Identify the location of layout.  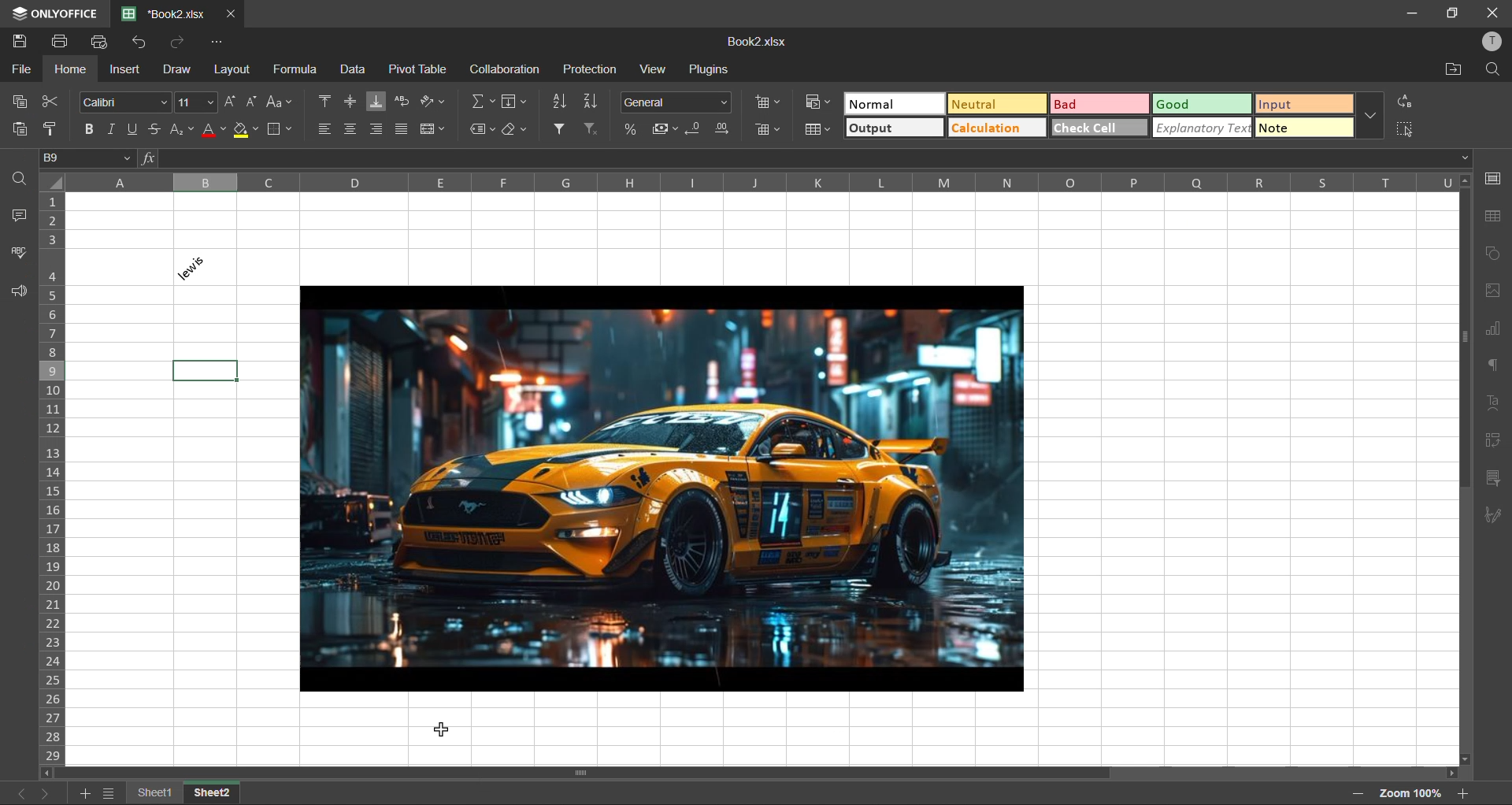
(232, 68).